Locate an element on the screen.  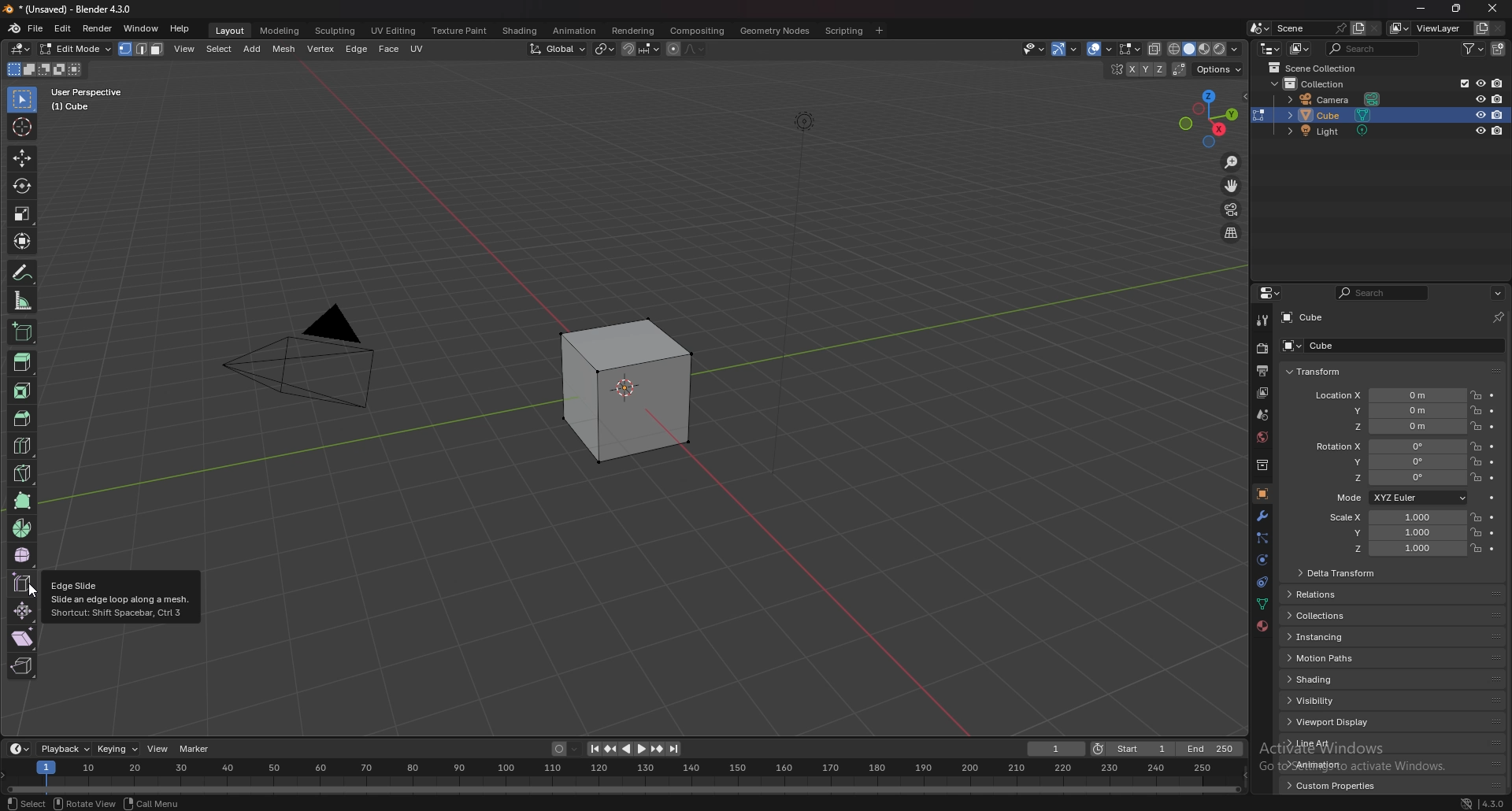
disable in render is located at coordinates (1499, 114).